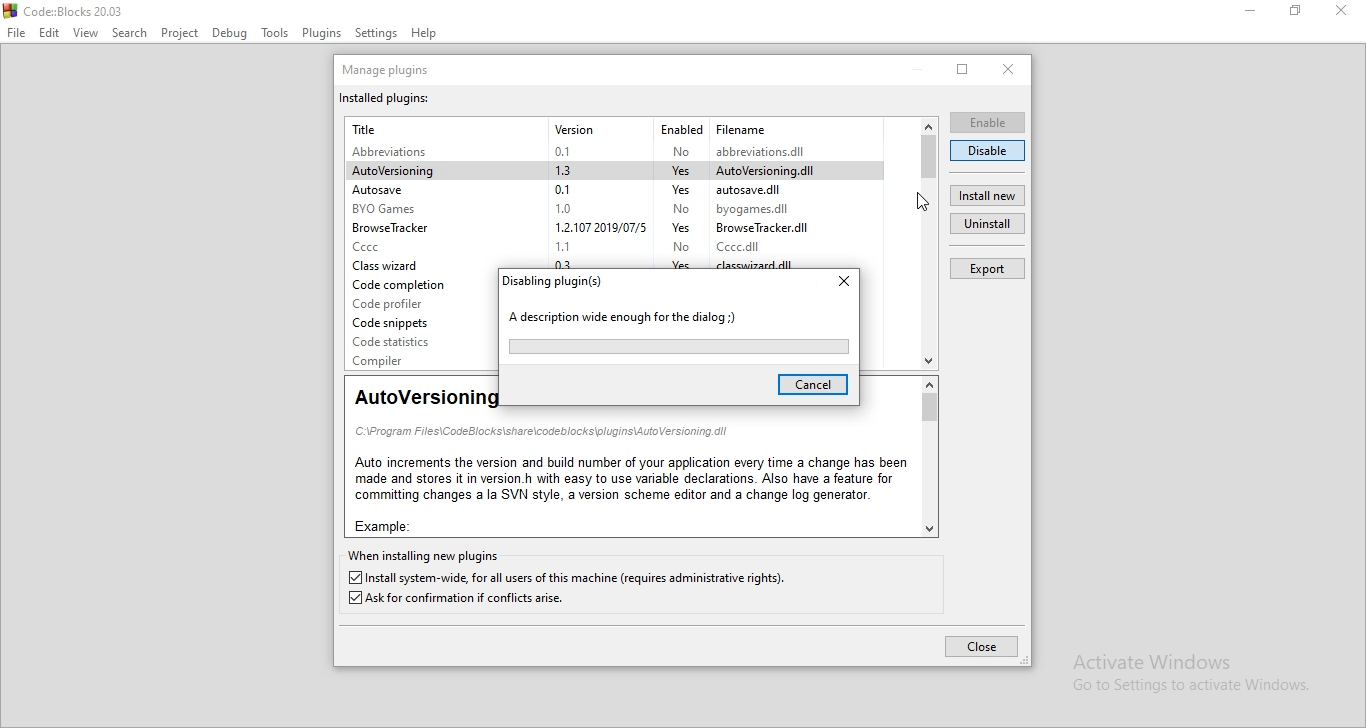  What do you see at coordinates (576, 129) in the screenshot?
I see `Version` at bounding box center [576, 129].